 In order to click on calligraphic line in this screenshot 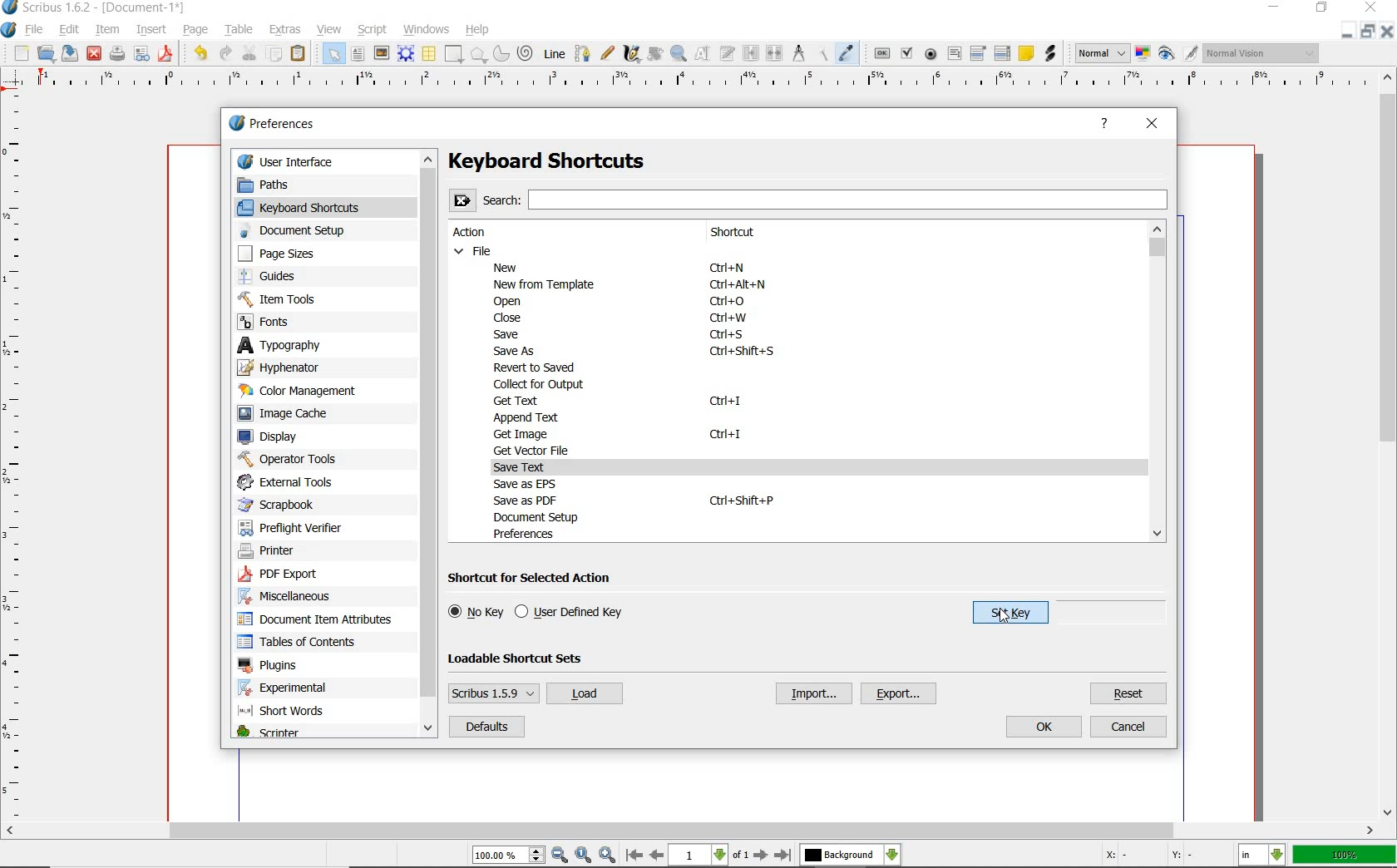, I will do `click(633, 55)`.